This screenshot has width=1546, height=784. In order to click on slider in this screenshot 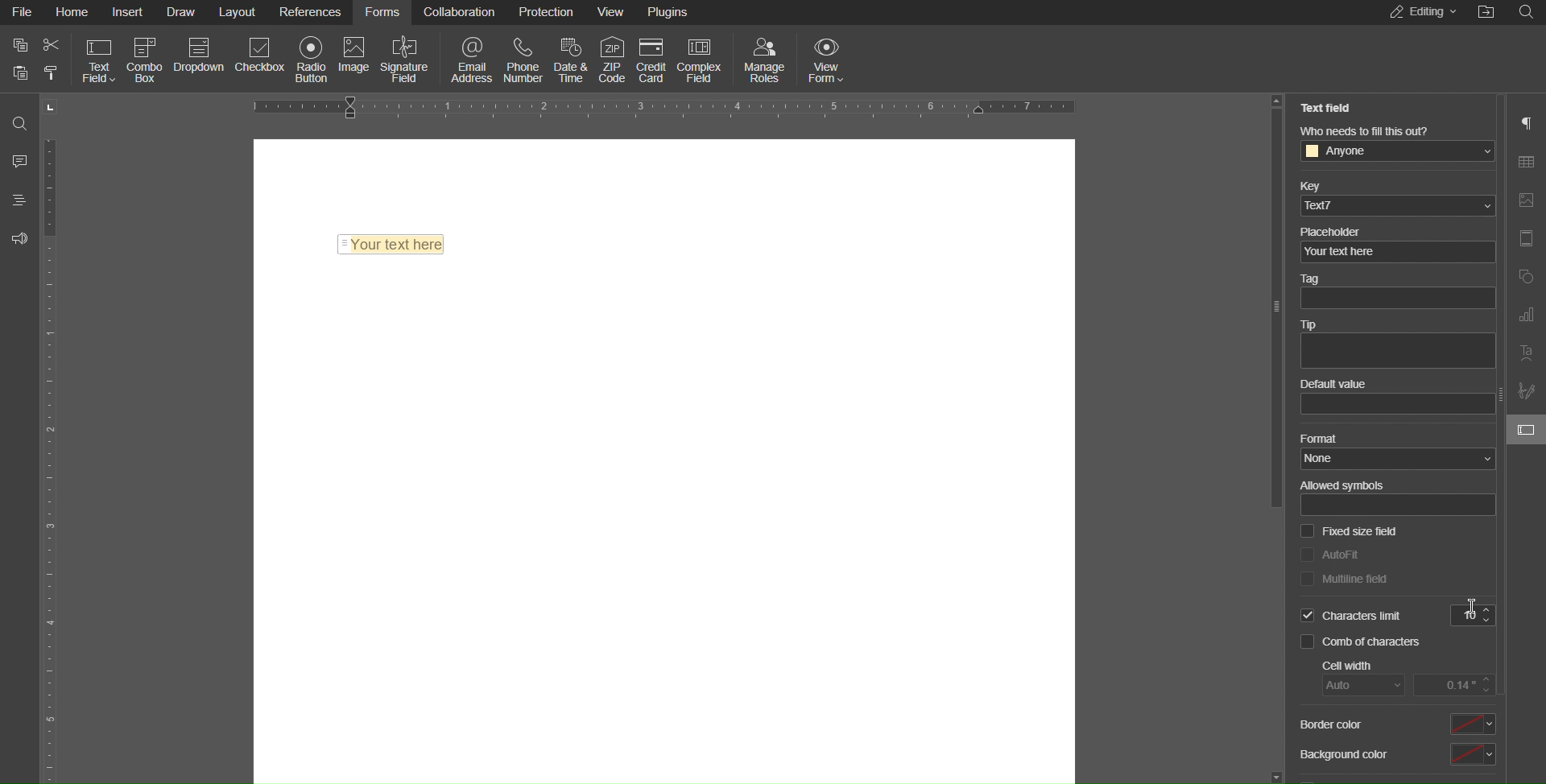, I will do `click(1275, 312)`.